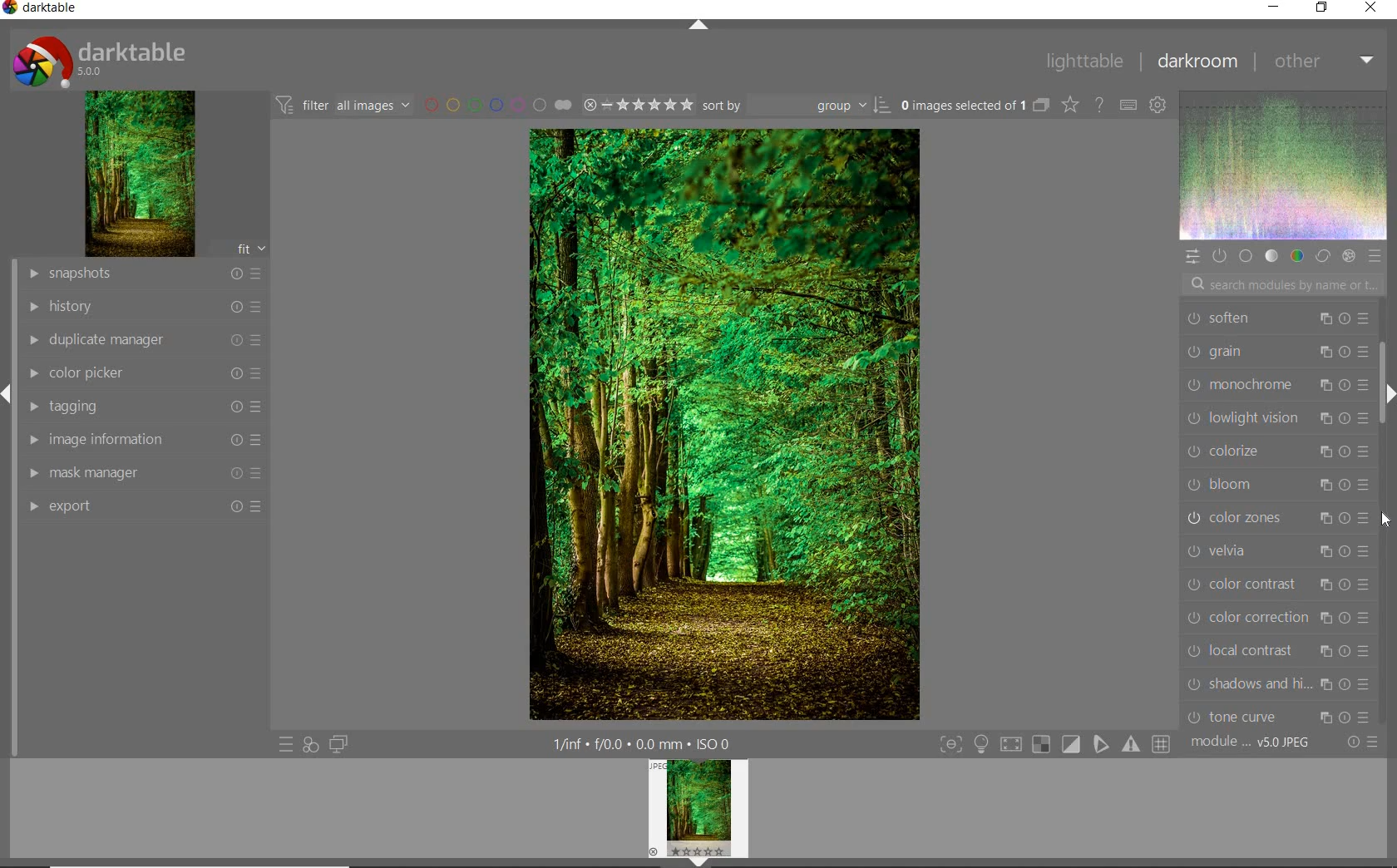 The image size is (1397, 868). Describe the element at coordinates (1275, 7) in the screenshot. I see `MINIMIZE` at that location.